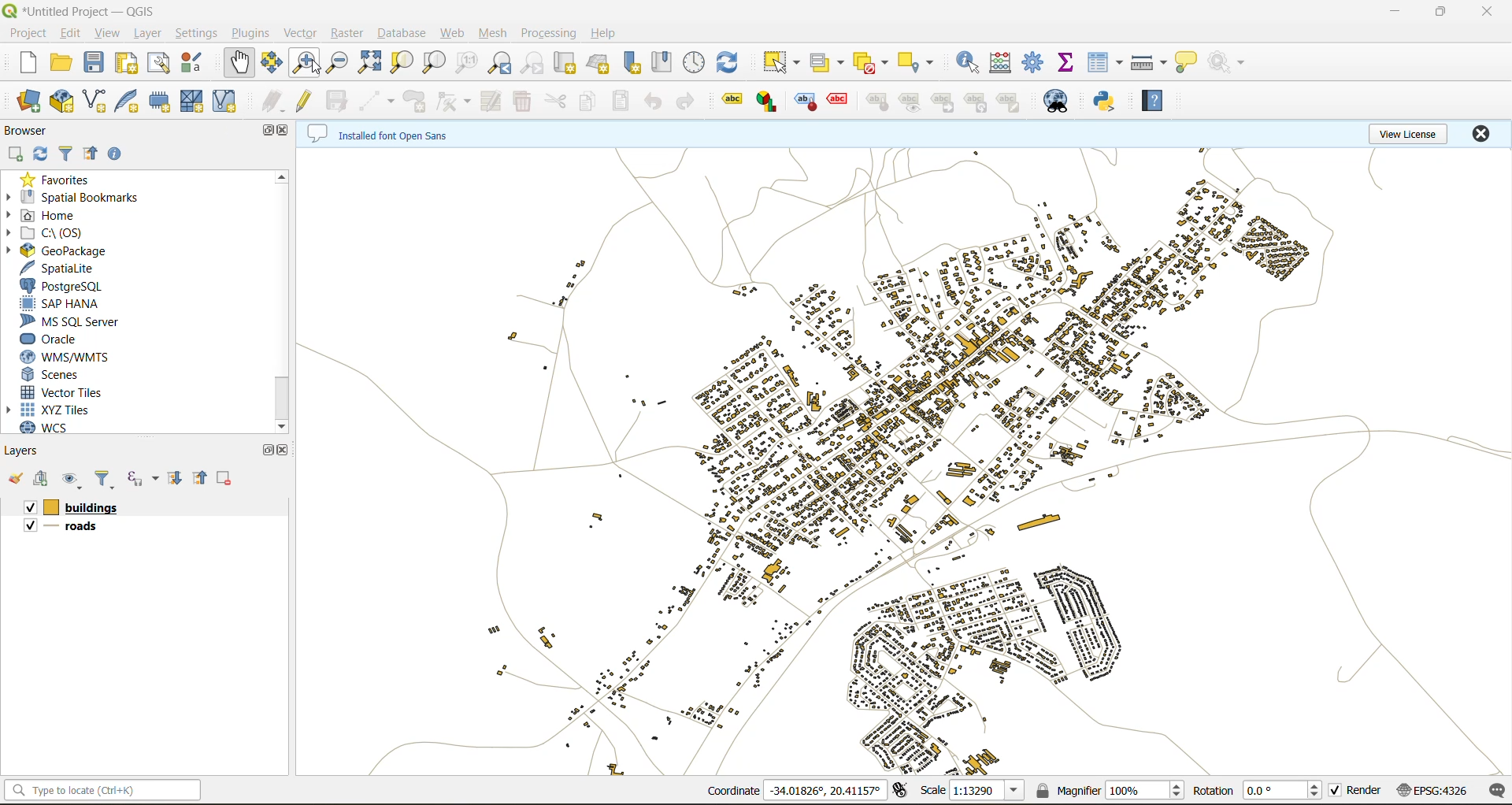 The width and height of the screenshot is (1512, 805). Describe the element at coordinates (90, 154) in the screenshot. I see `collapse all` at that location.